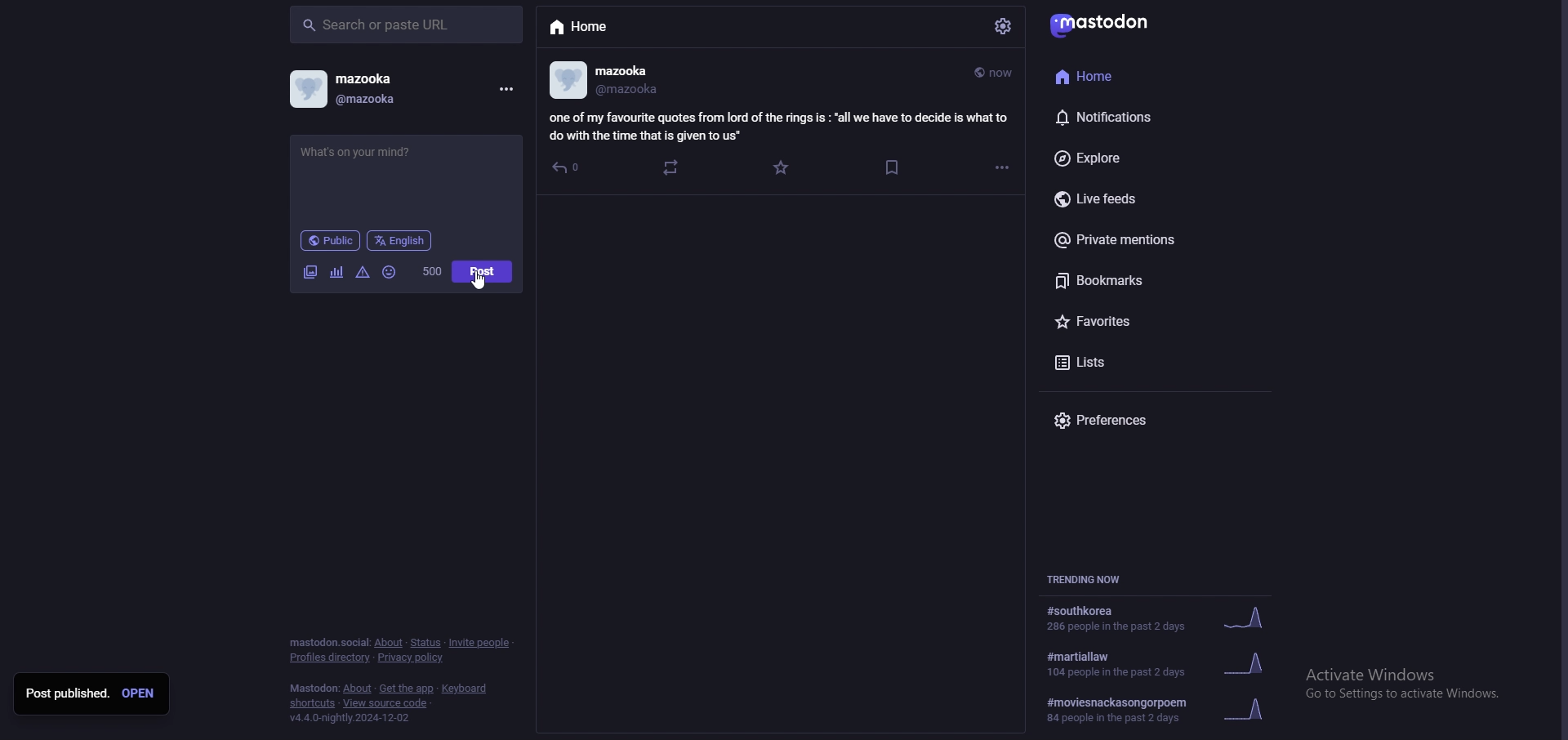 The width and height of the screenshot is (1568, 740). What do you see at coordinates (776, 126) in the screenshot?
I see `post` at bounding box center [776, 126].